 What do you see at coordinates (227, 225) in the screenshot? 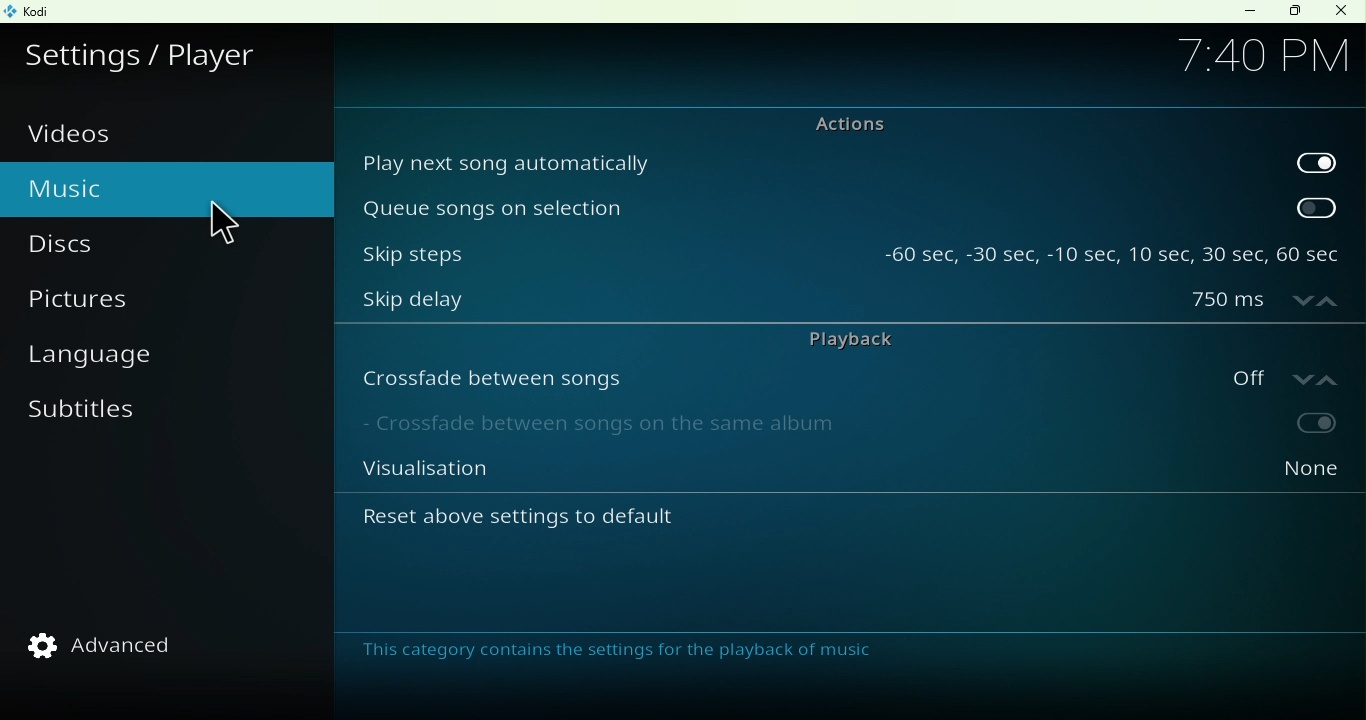
I see `cursor` at bounding box center [227, 225].